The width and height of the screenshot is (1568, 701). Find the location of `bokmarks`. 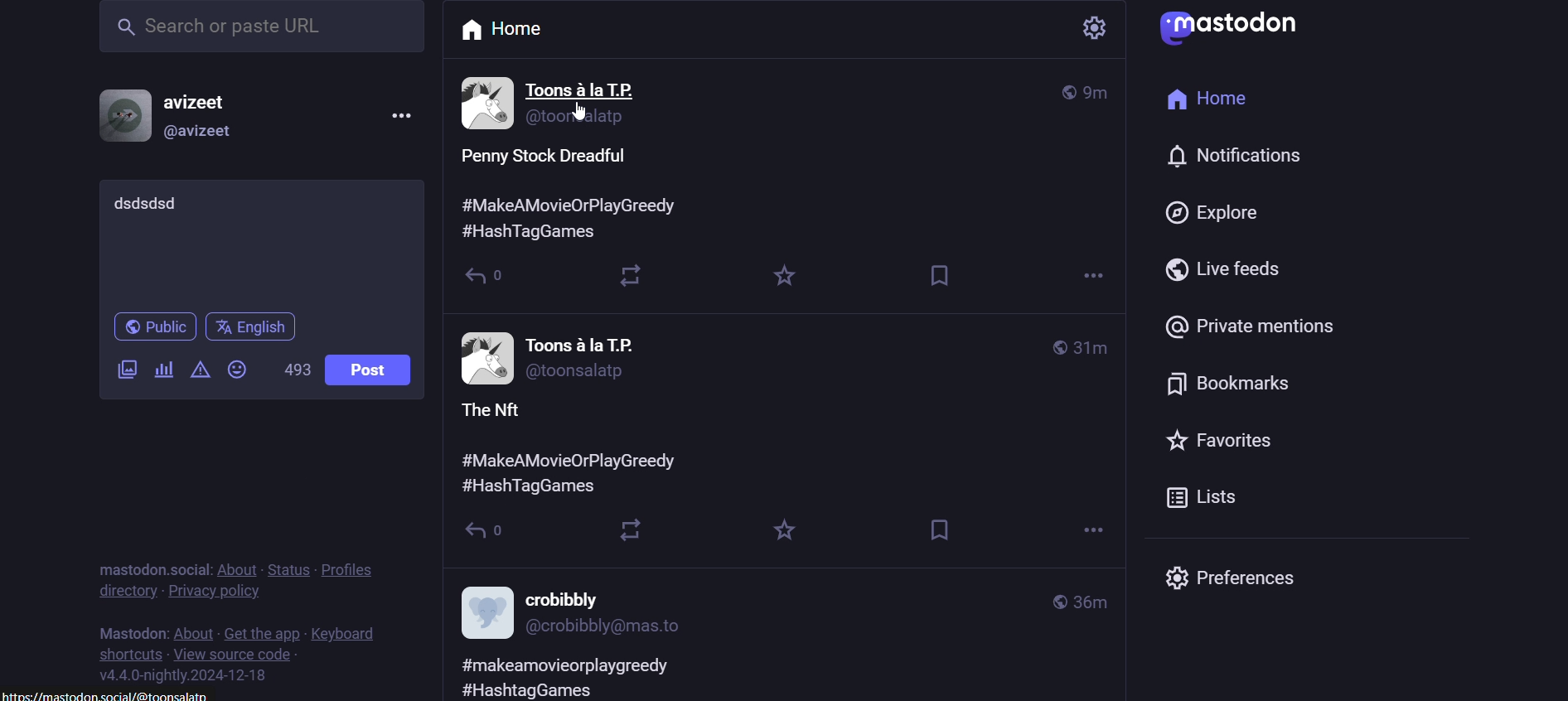

bokmarks is located at coordinates (1241, 392).